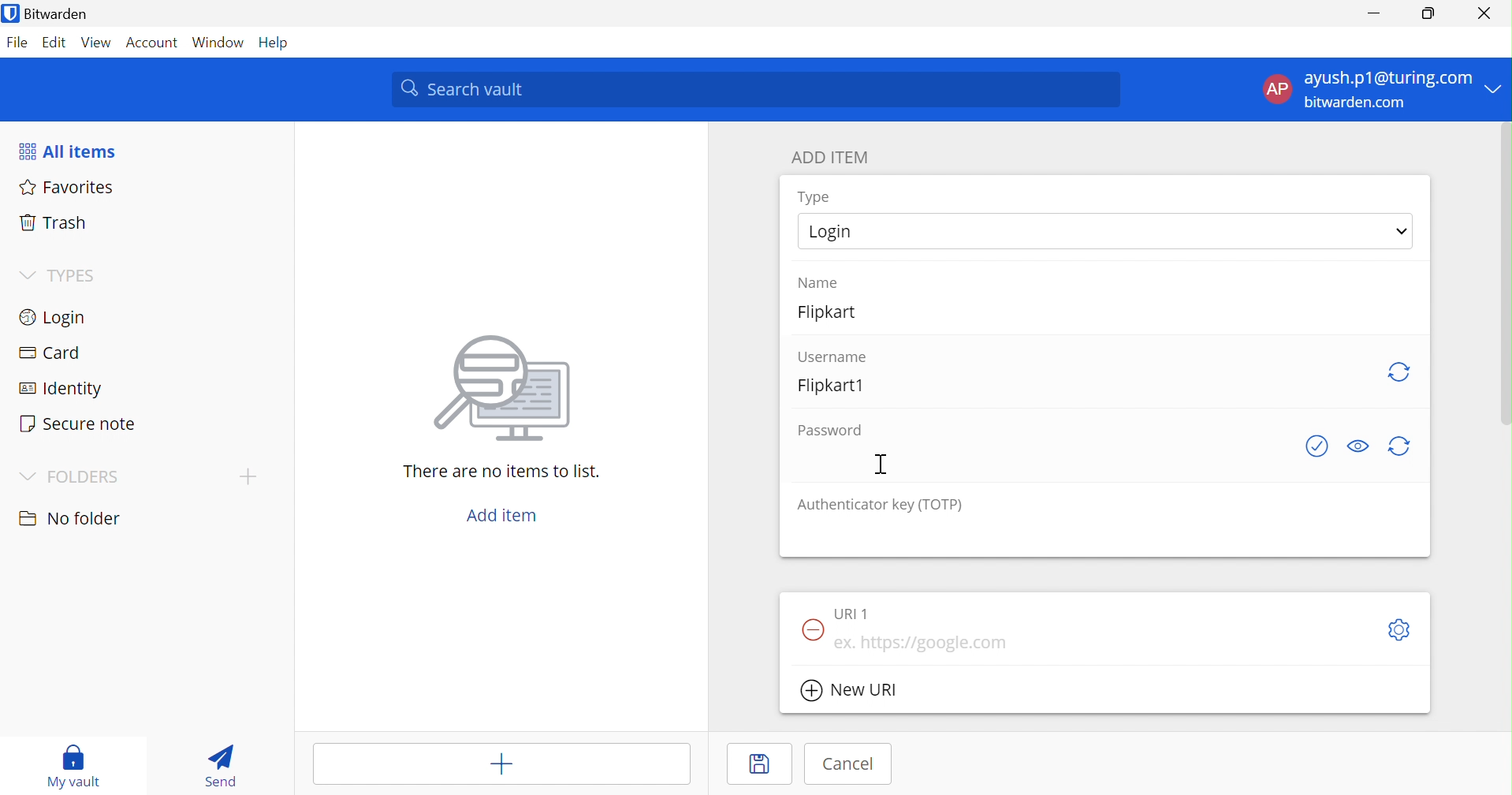  What do you see at coordinates (1371, 13) in the screenshot?
I see `Minimize` at bounding box center [1371, 13].